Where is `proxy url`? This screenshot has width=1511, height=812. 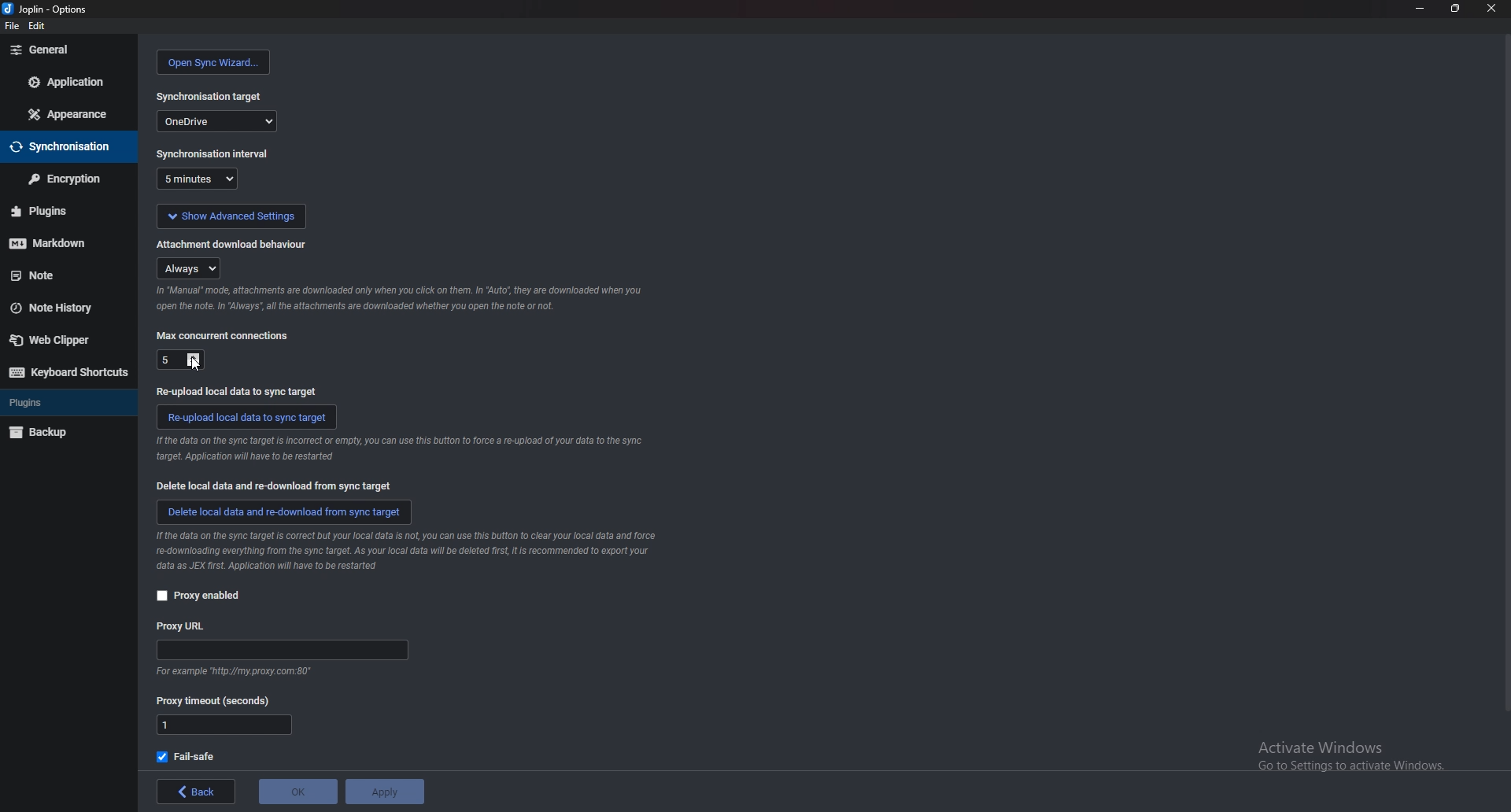
proxy url is located at coordinates (187, 626).